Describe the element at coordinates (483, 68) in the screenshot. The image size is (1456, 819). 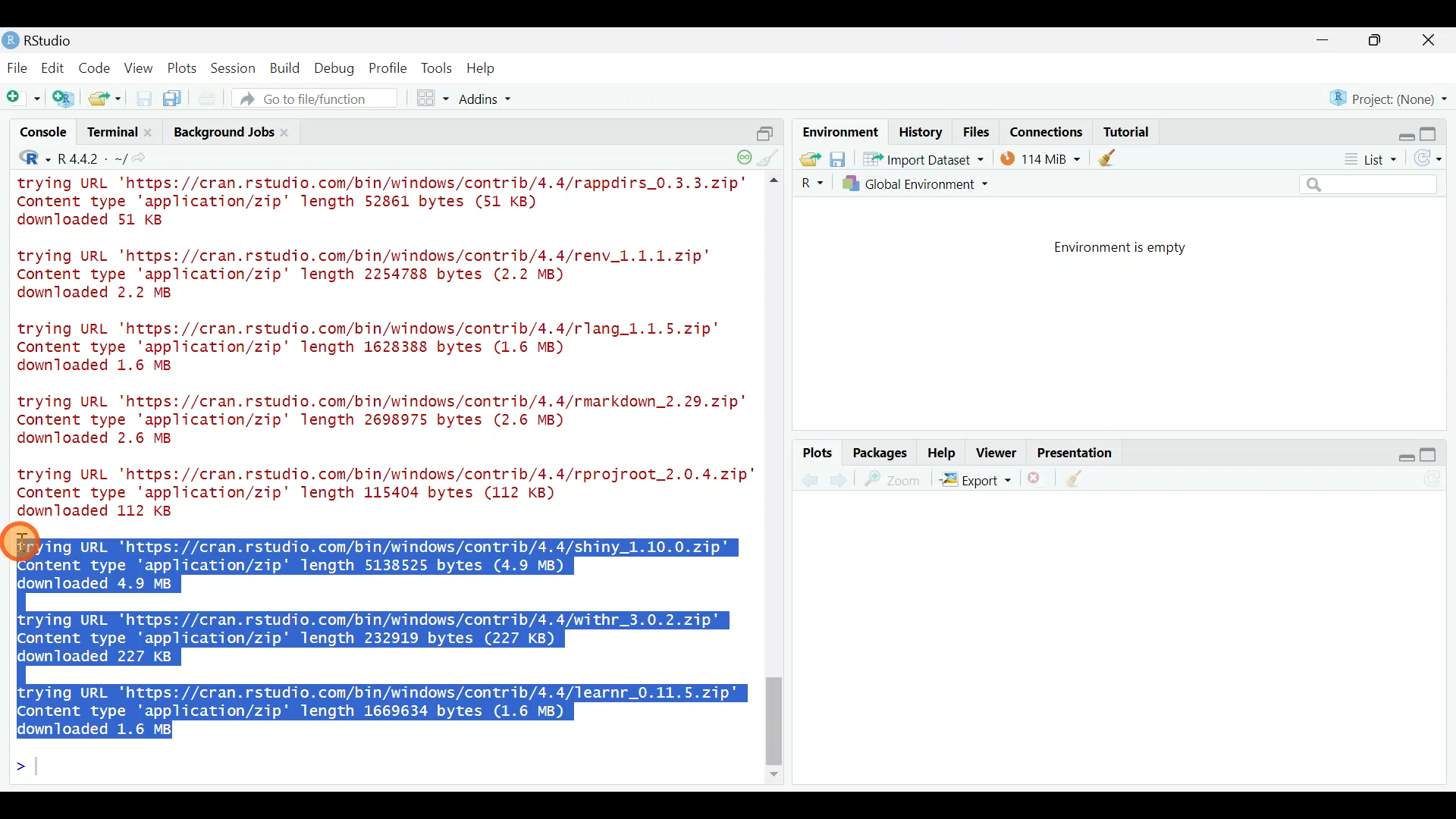
I see `Help` at that location.